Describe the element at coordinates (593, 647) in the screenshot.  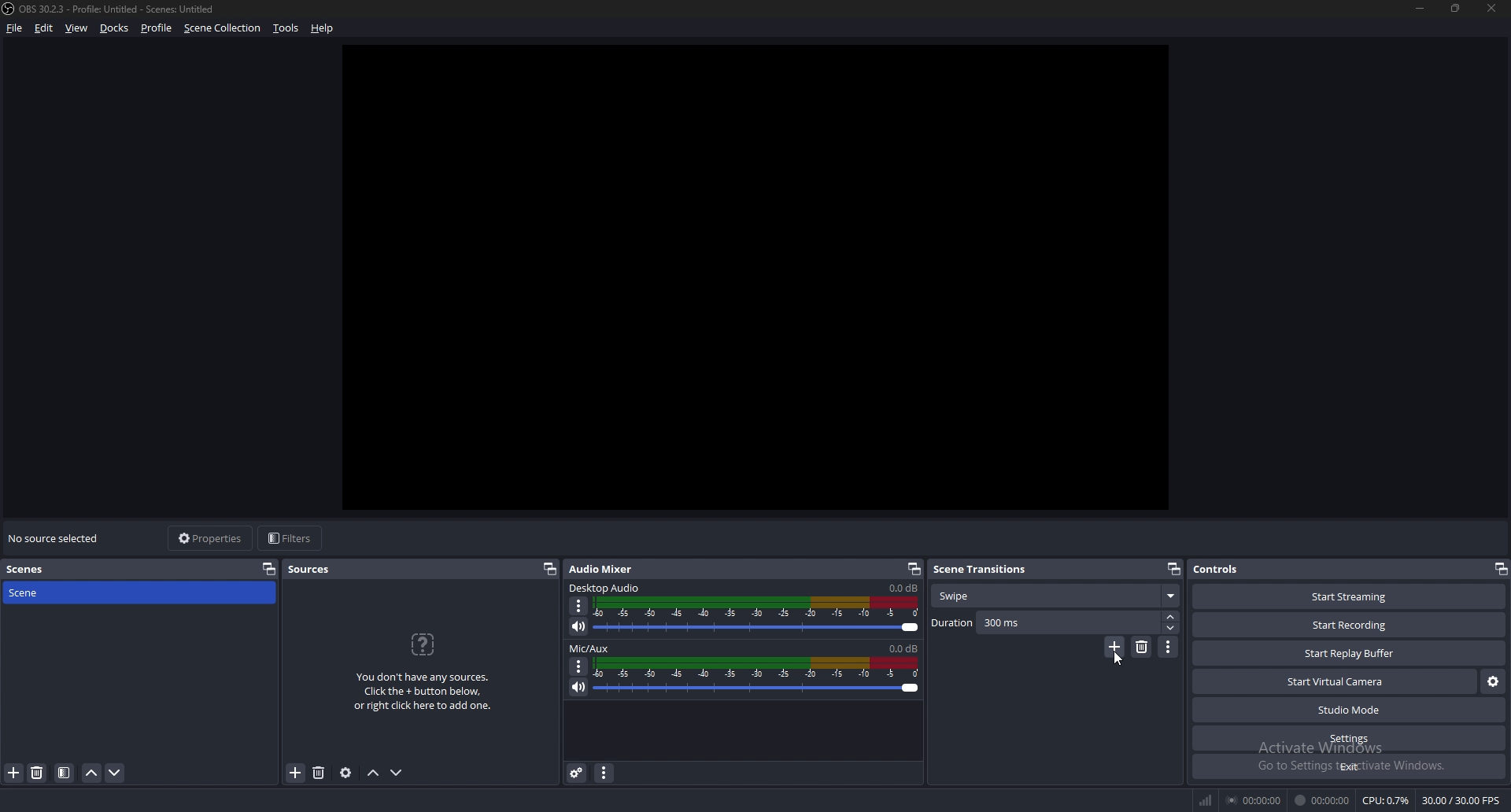
I see `mic/aux` at that location.